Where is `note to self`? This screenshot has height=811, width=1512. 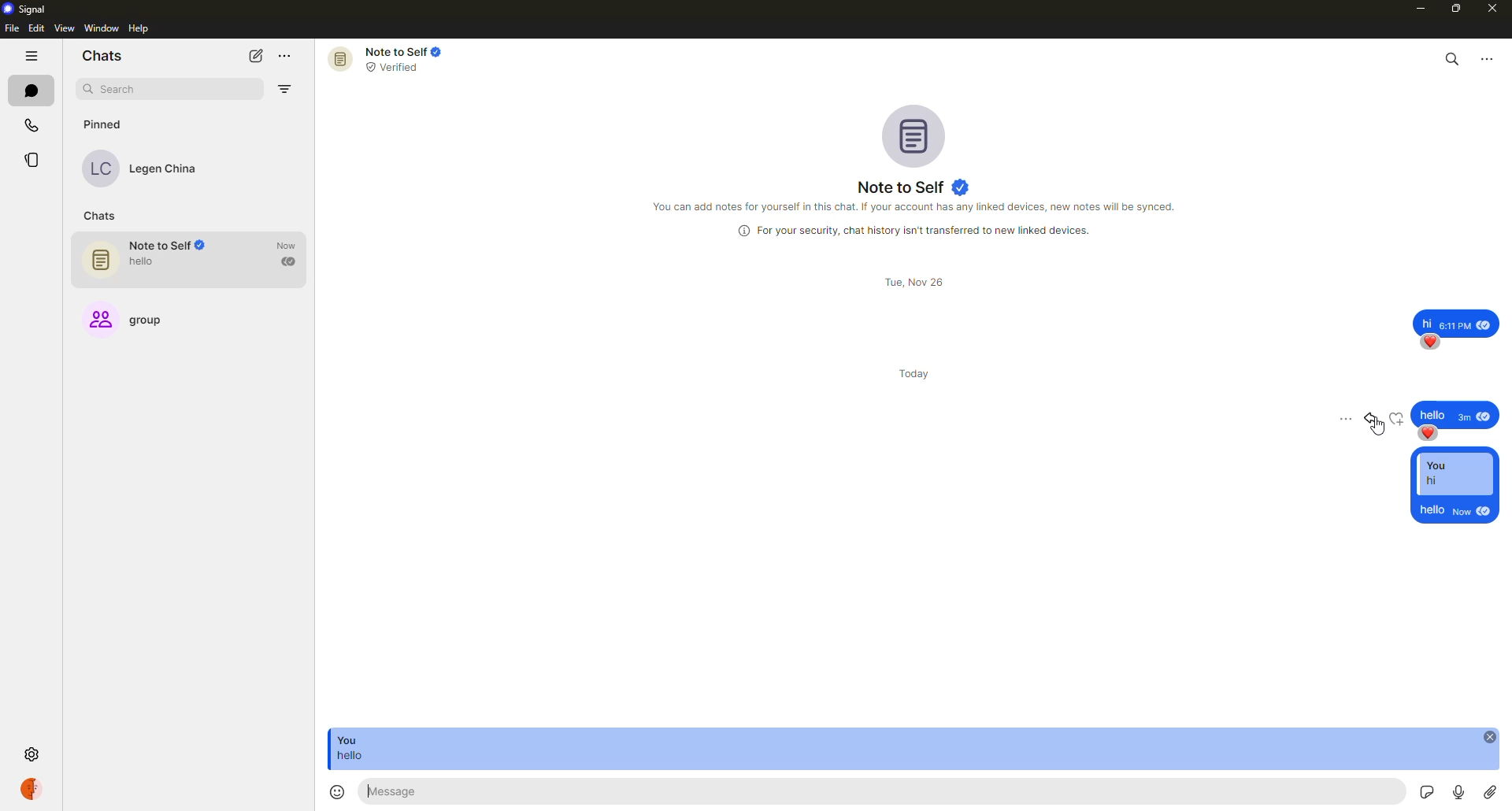 note to self is located at coordinates (387, 59).